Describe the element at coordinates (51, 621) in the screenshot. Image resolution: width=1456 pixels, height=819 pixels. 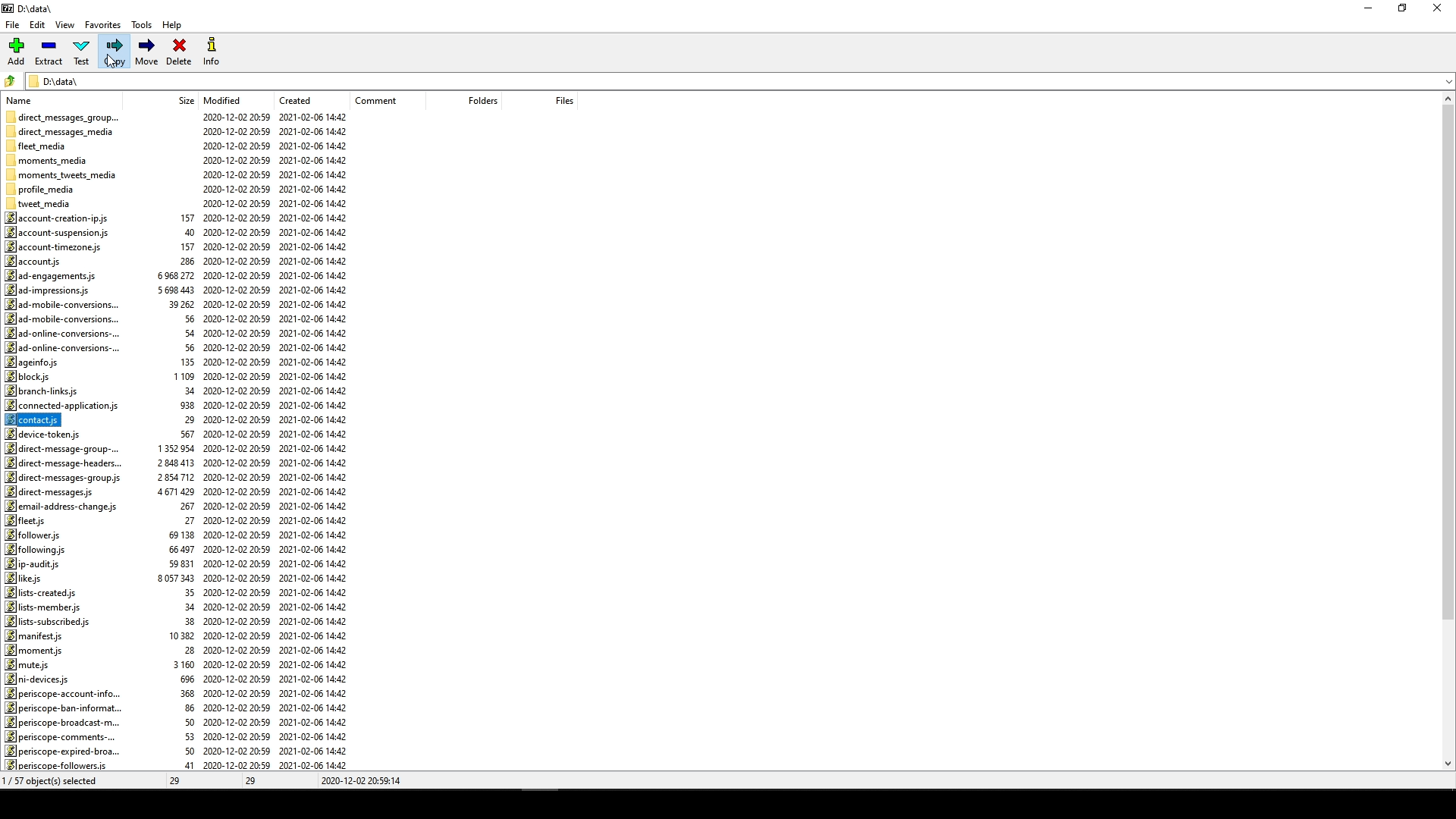
I see `lists-subscribed.js` at that location.